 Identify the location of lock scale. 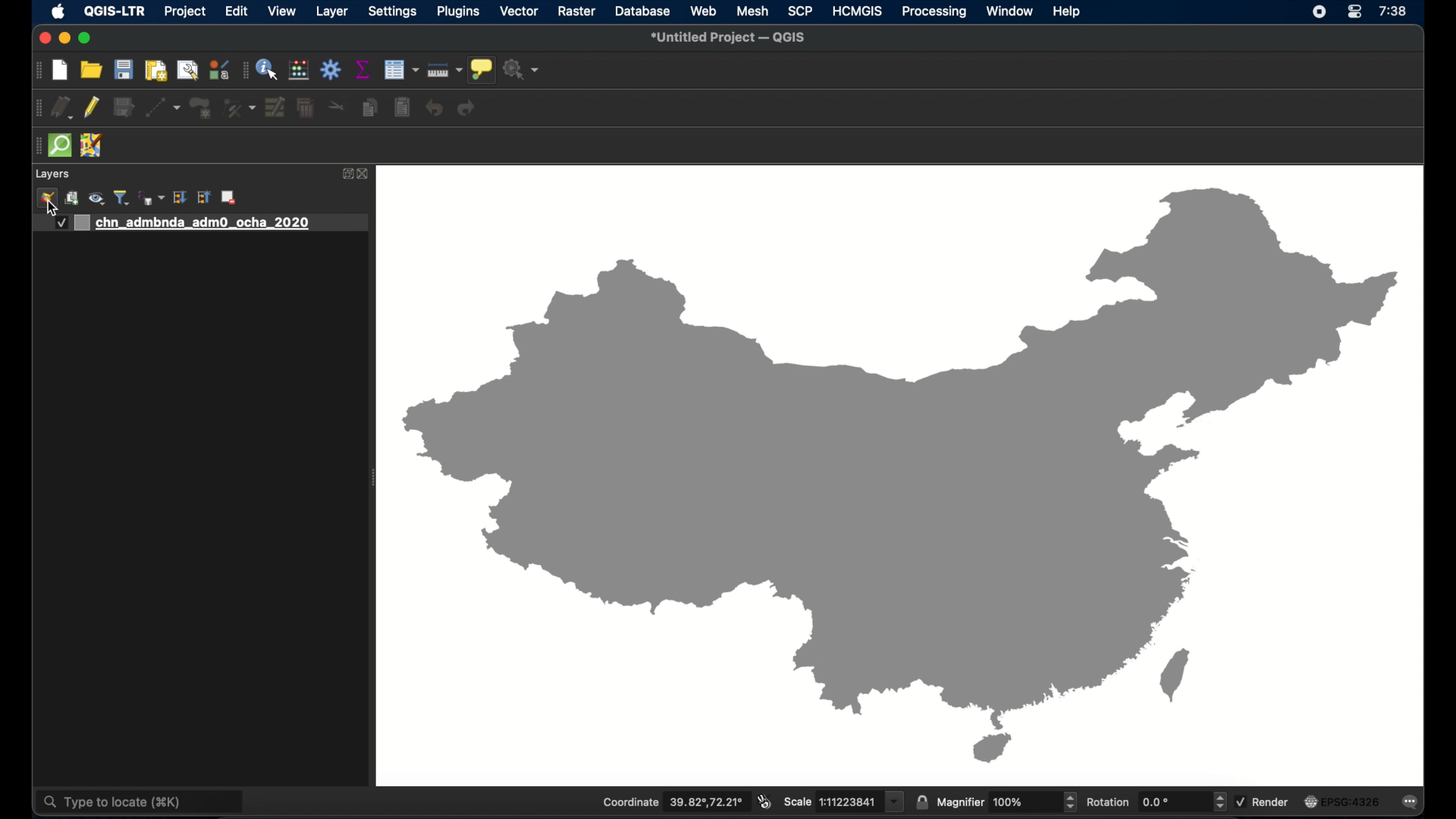
(921, 802).